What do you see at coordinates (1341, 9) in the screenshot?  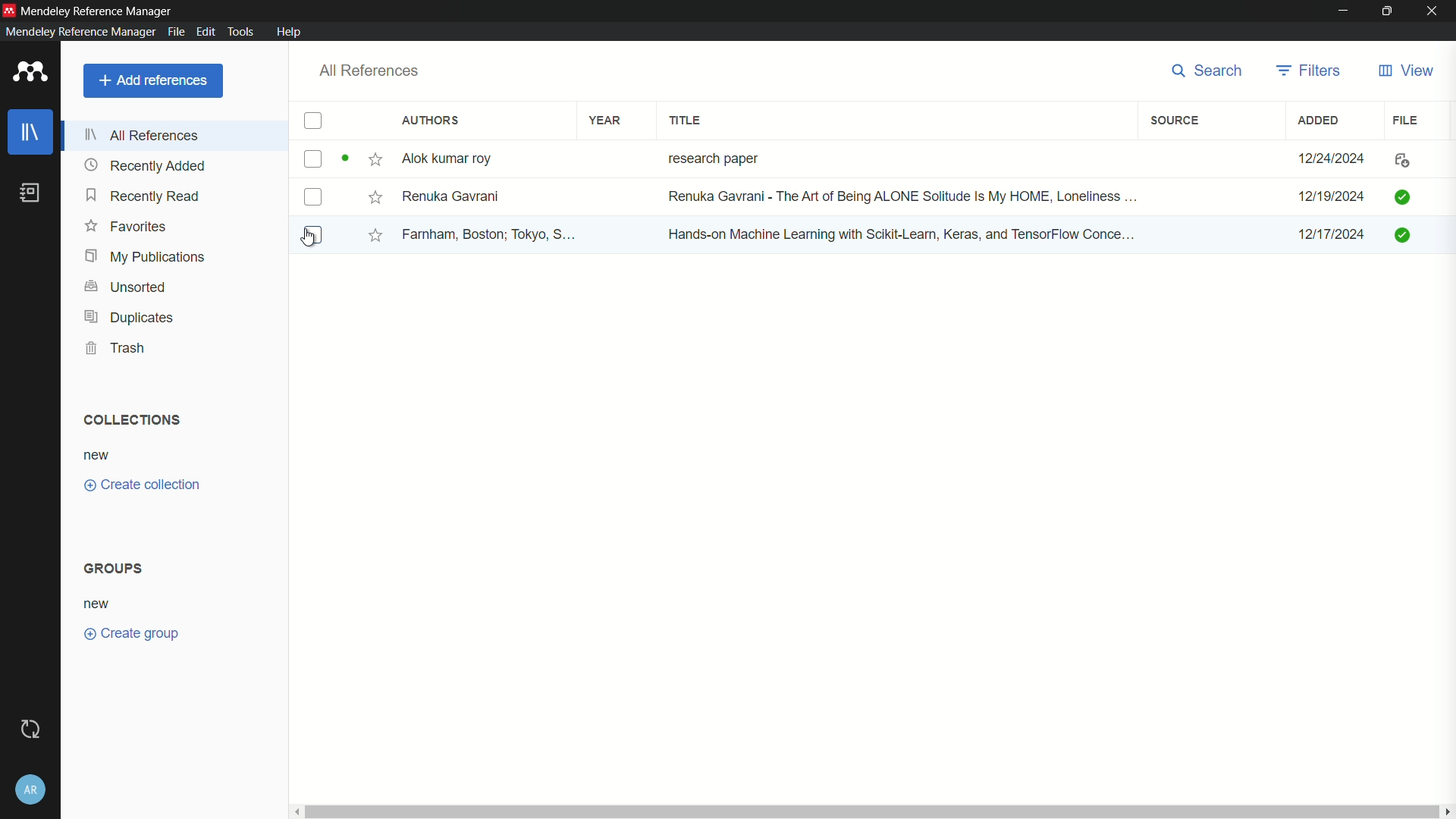 I see `minimize` at bounding box center [1341, 9].